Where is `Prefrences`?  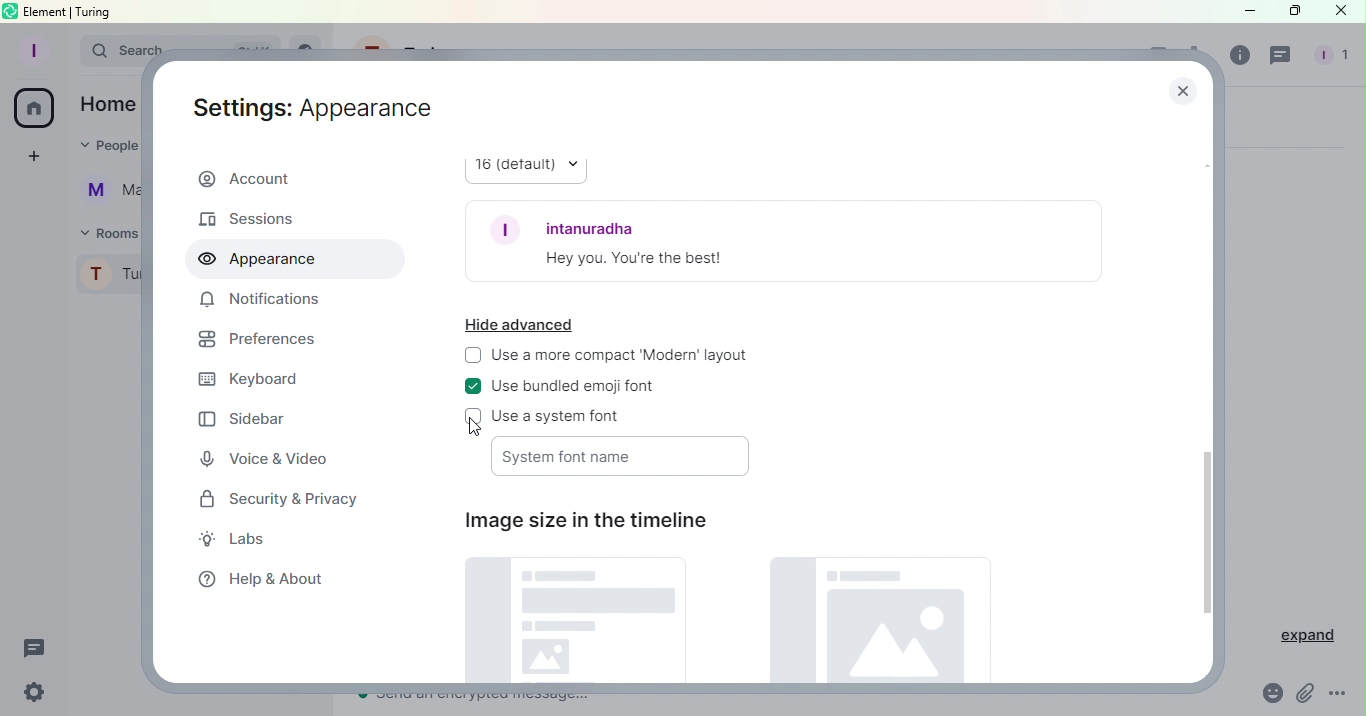
Prefrences is located at coordinates (254, 340).